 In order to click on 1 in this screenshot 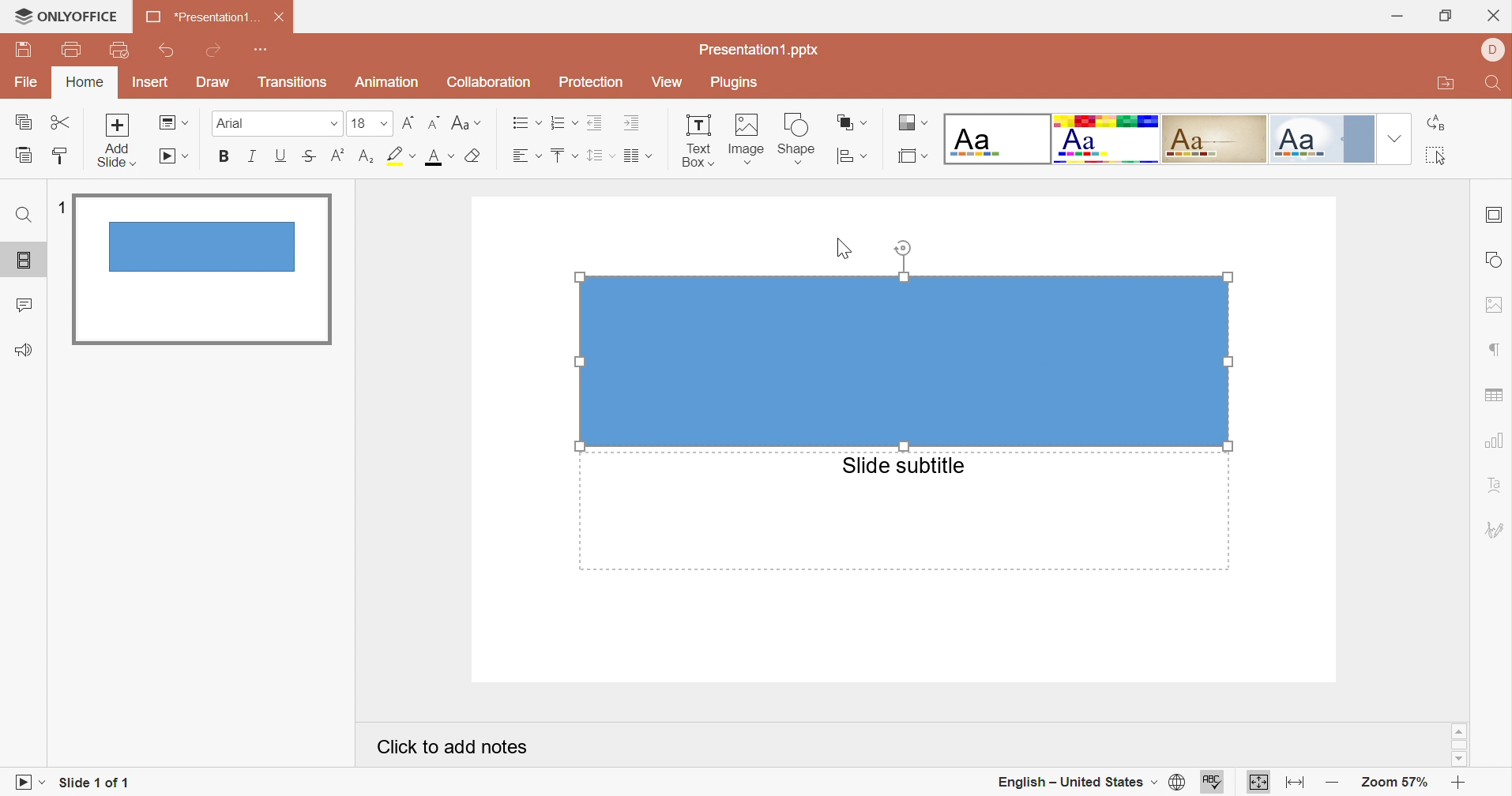, I will do `click(64, 210)`.